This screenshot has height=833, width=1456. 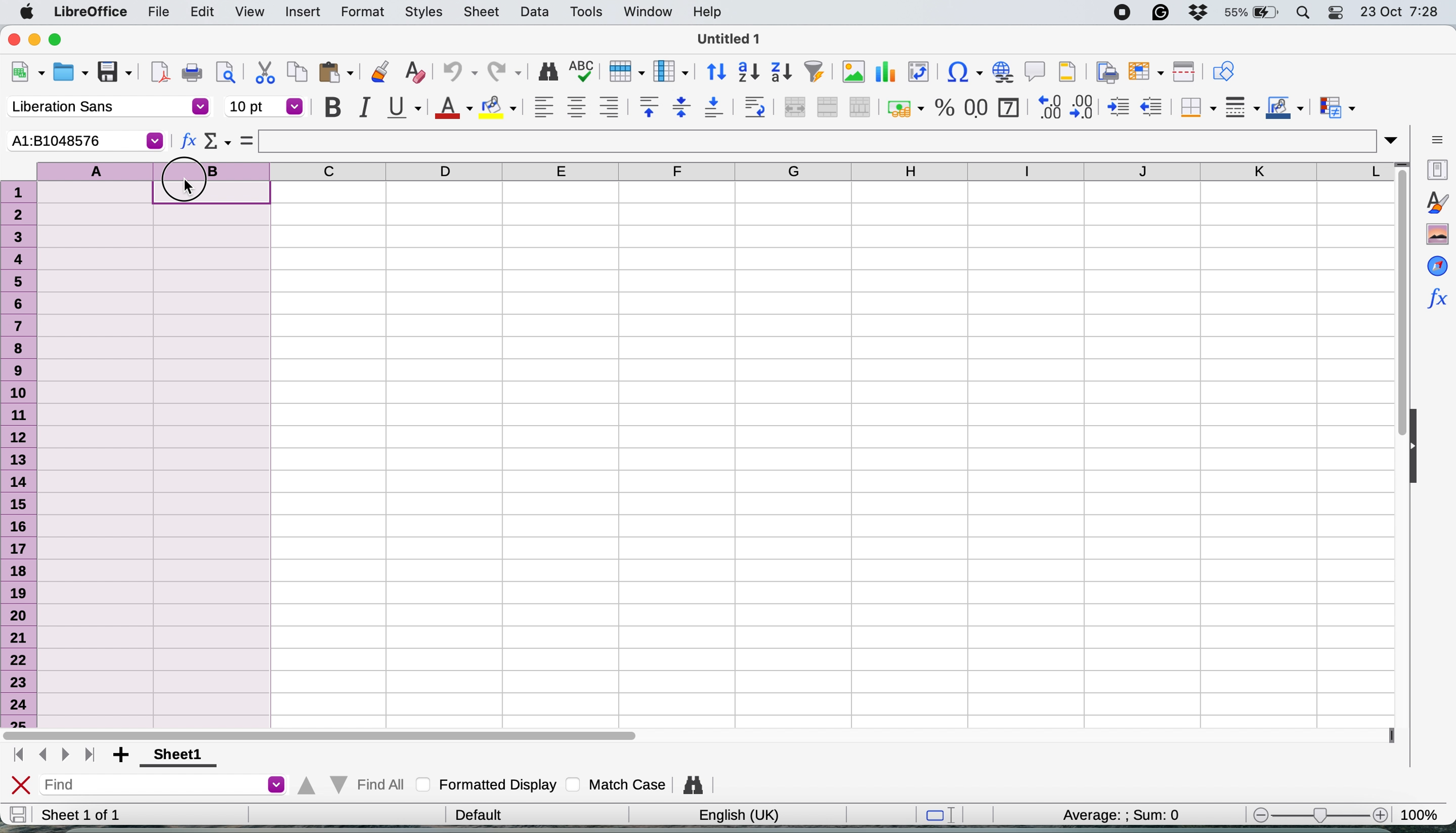 What do you see at coordinates (730, 41) in the screenshot?
I see `untitled 1` at bounding box center [730, 41].